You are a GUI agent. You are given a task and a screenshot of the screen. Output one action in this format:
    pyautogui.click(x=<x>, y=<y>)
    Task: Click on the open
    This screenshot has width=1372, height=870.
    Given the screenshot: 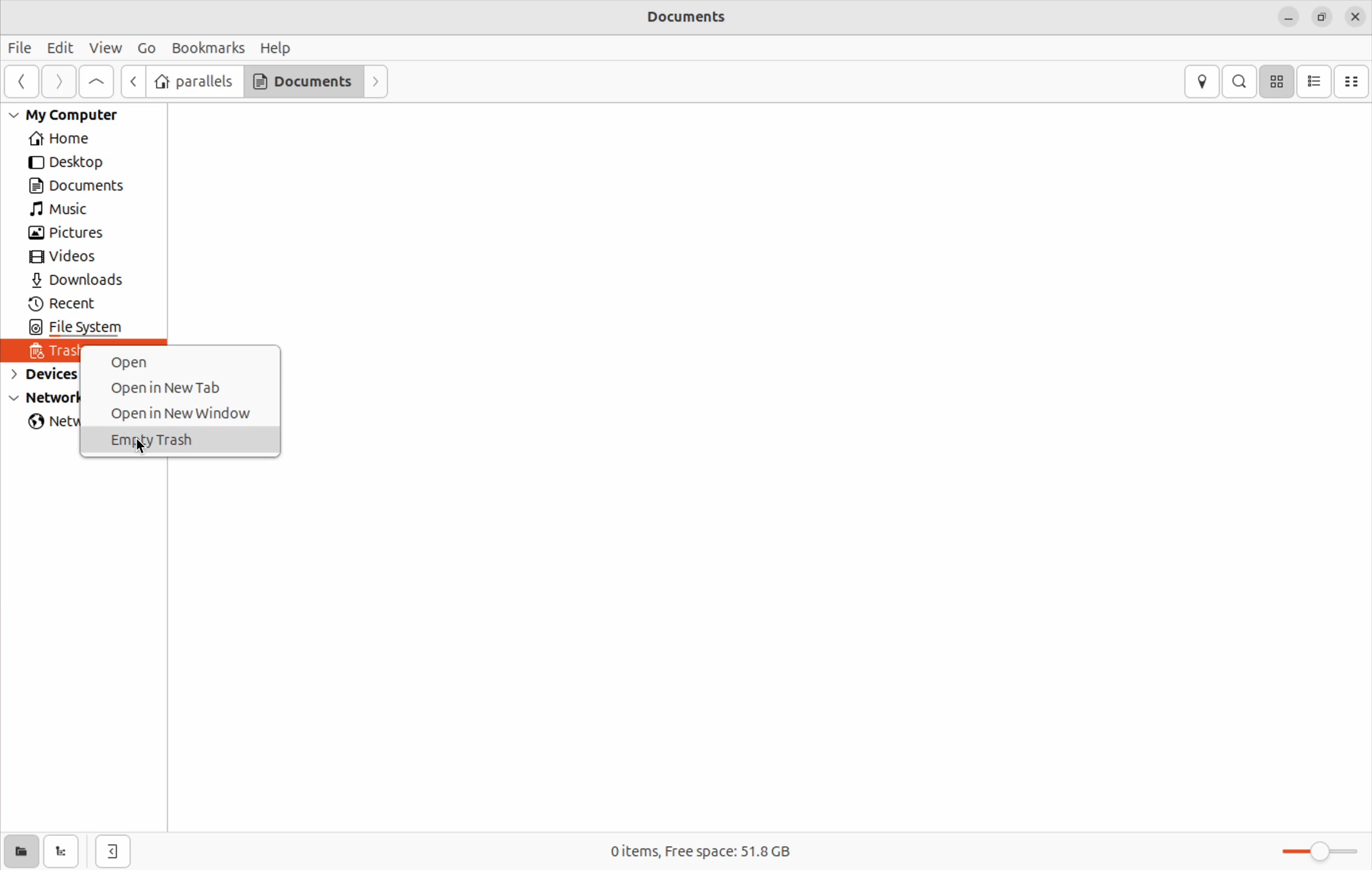 What is the action you would take?
    pyautogui.click(x=166, y=361)
    